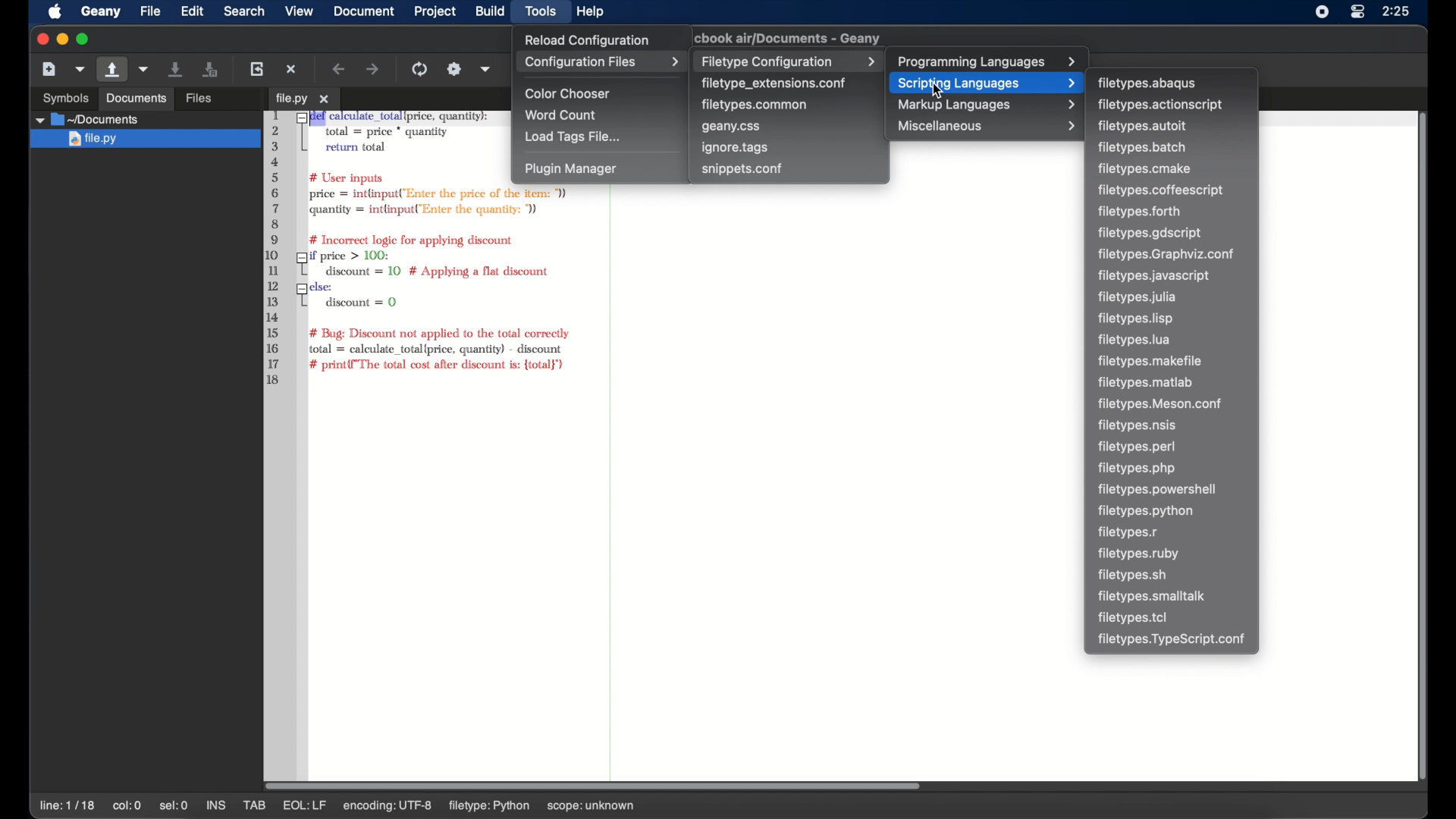 The height and width of the screenshot is (819, 1456). What do you see at coordinates (211, 70) in the screenshot?
I see `save all files` at bounding box center [211, 70].